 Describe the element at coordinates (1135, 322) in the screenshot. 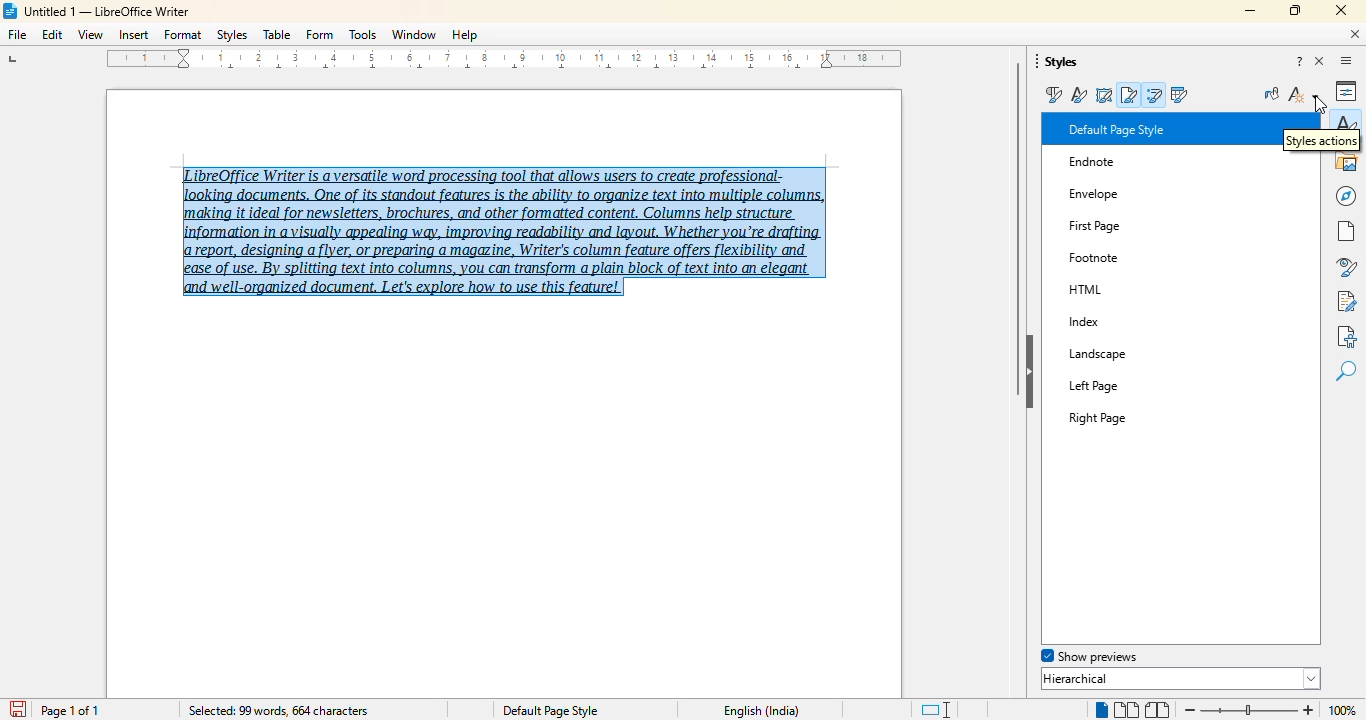

I see `Index` at that location.